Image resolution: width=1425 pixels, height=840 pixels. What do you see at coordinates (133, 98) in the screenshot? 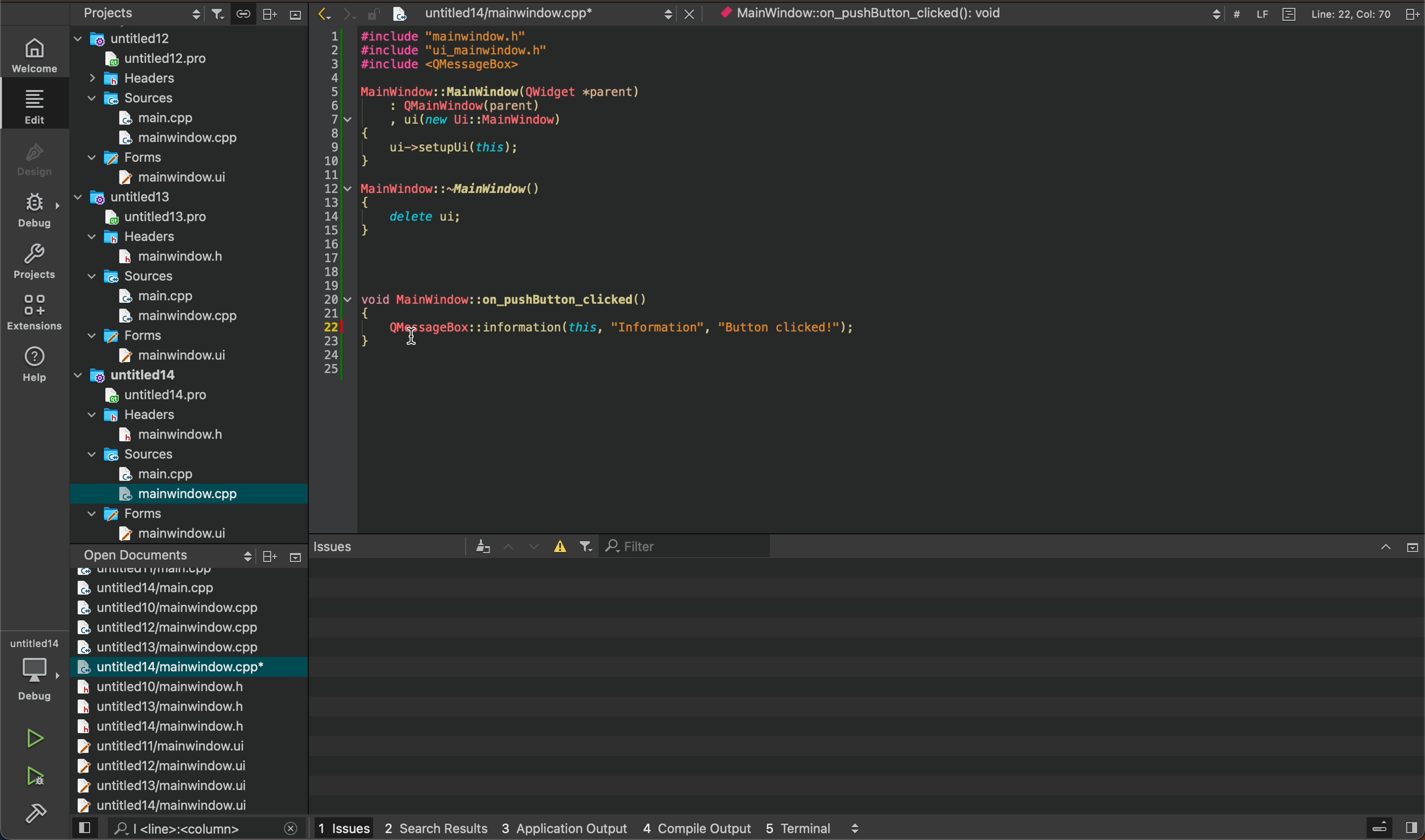
I see `sources` at bounding box center [133, 98].